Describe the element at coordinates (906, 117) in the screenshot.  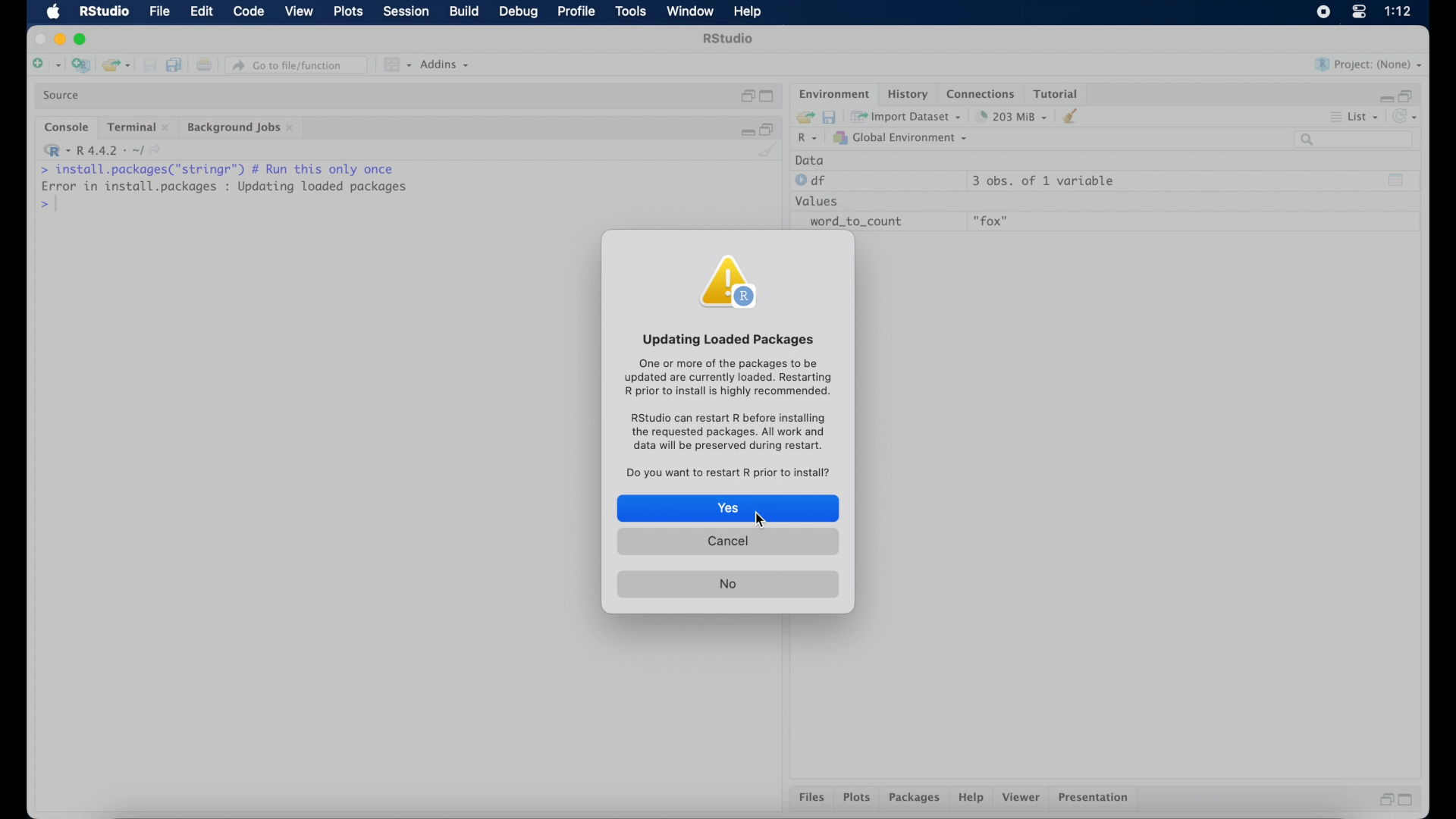
I see `import dataset` at that location.